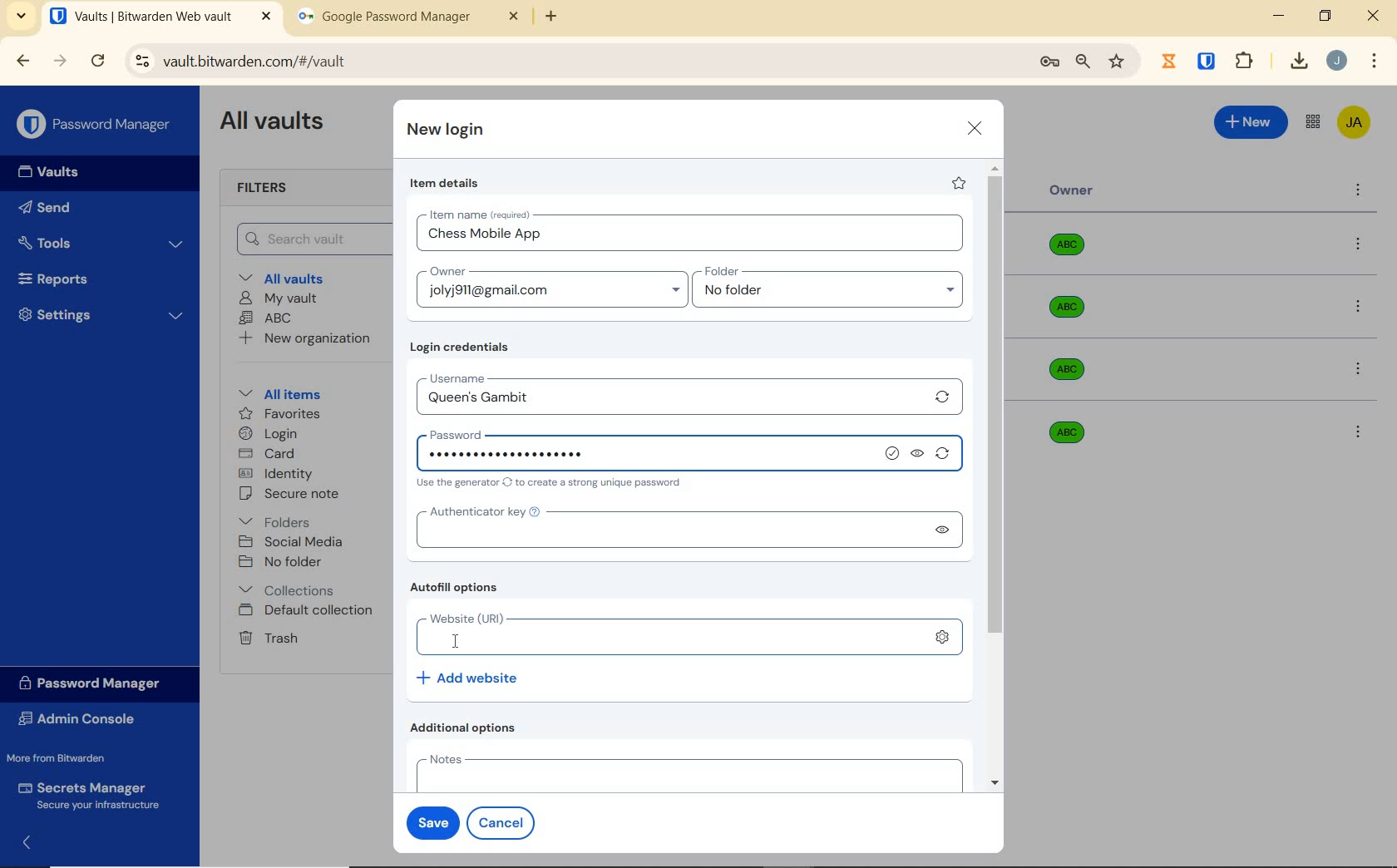 Image resolution: width=1397 pixels, height=868 pixels. Describe the element at coordinates (943, 397) in the screenshot. I see `generate` at that location.